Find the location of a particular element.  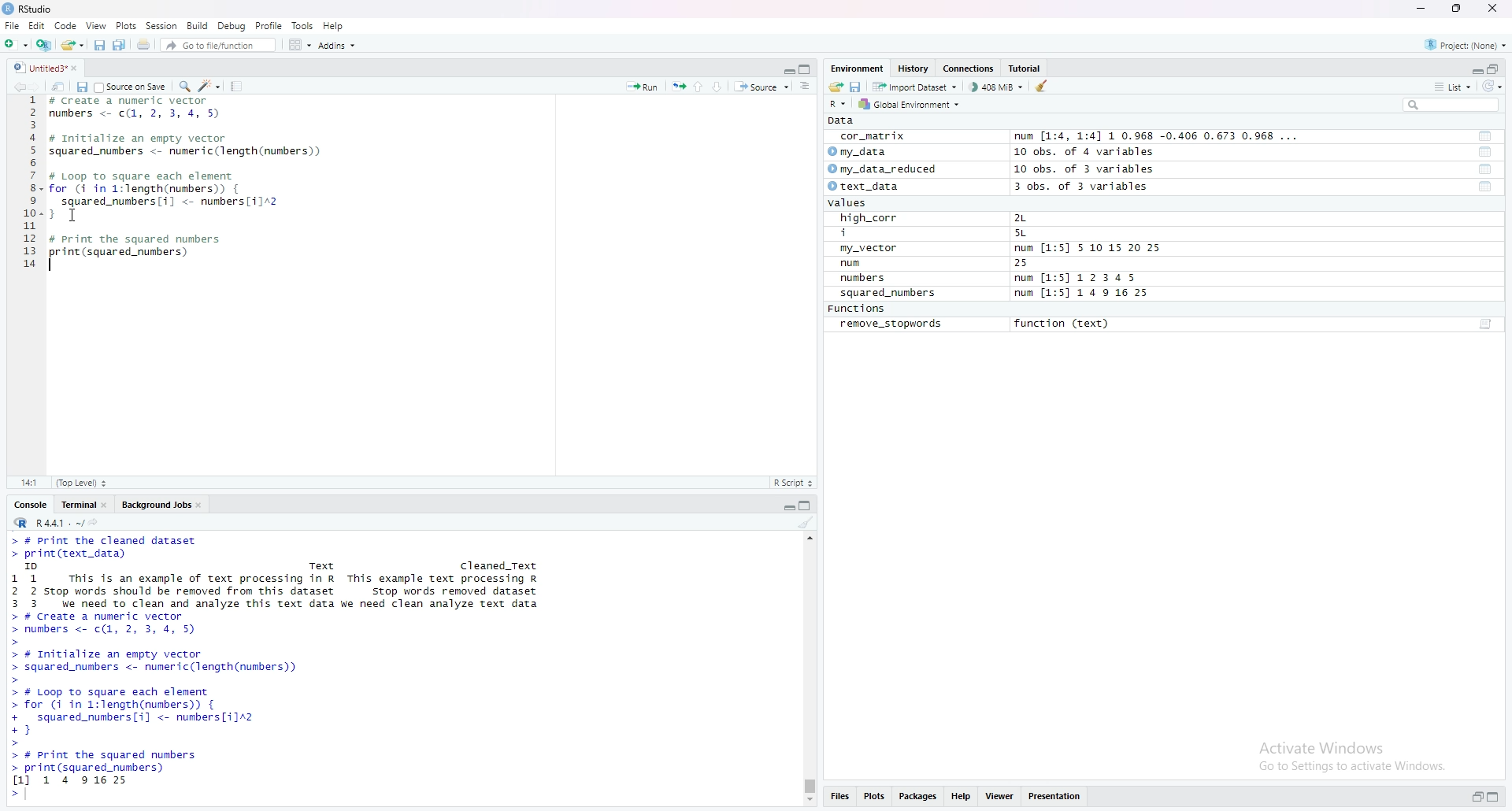

minimize is located at coordinates (787, 504).